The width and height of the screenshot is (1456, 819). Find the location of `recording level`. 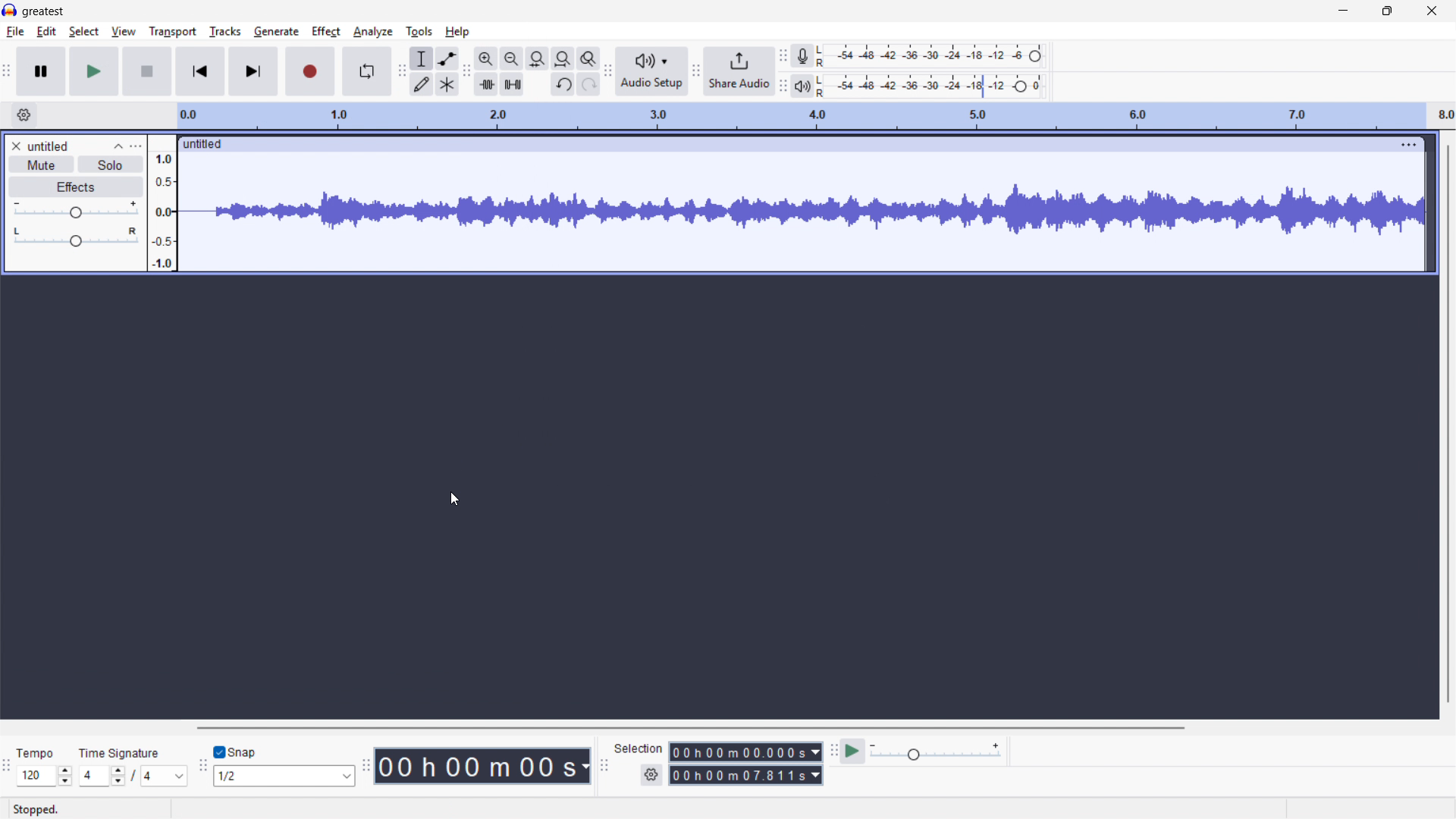

recording level is located at coordinates (936, 55).